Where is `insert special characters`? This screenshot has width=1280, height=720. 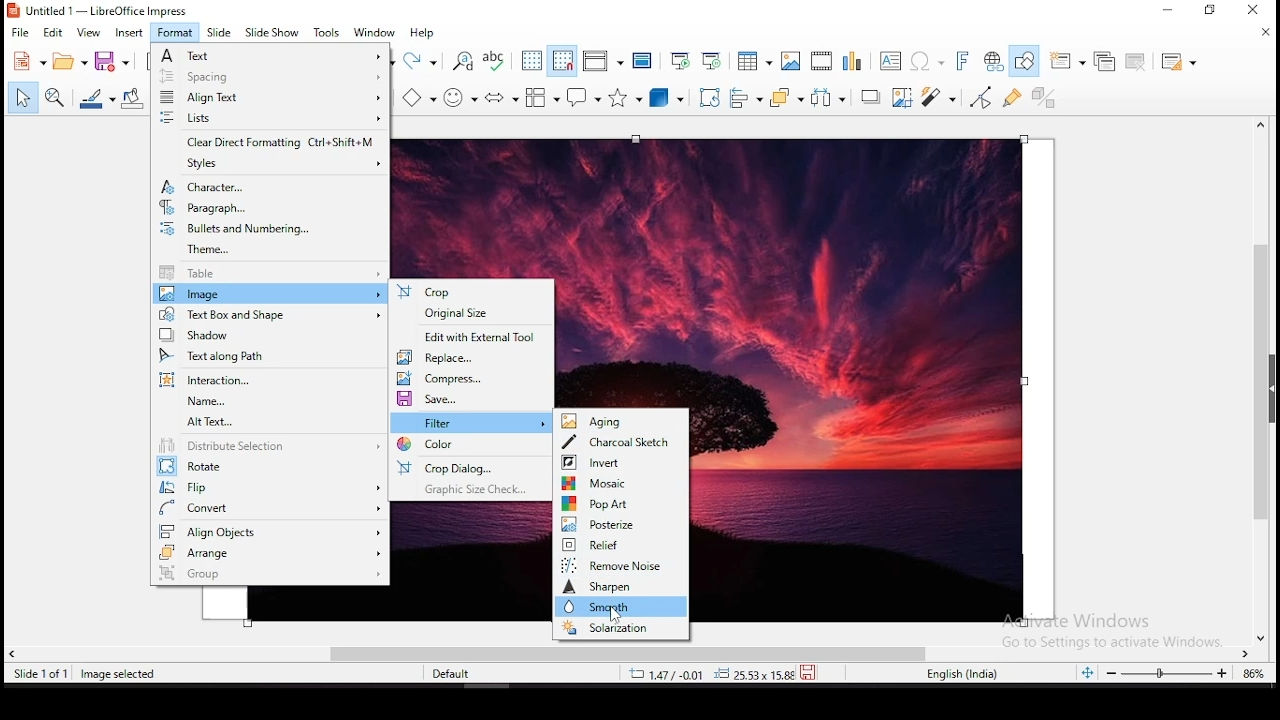
insert special characters is located at coordinates (925, 61).